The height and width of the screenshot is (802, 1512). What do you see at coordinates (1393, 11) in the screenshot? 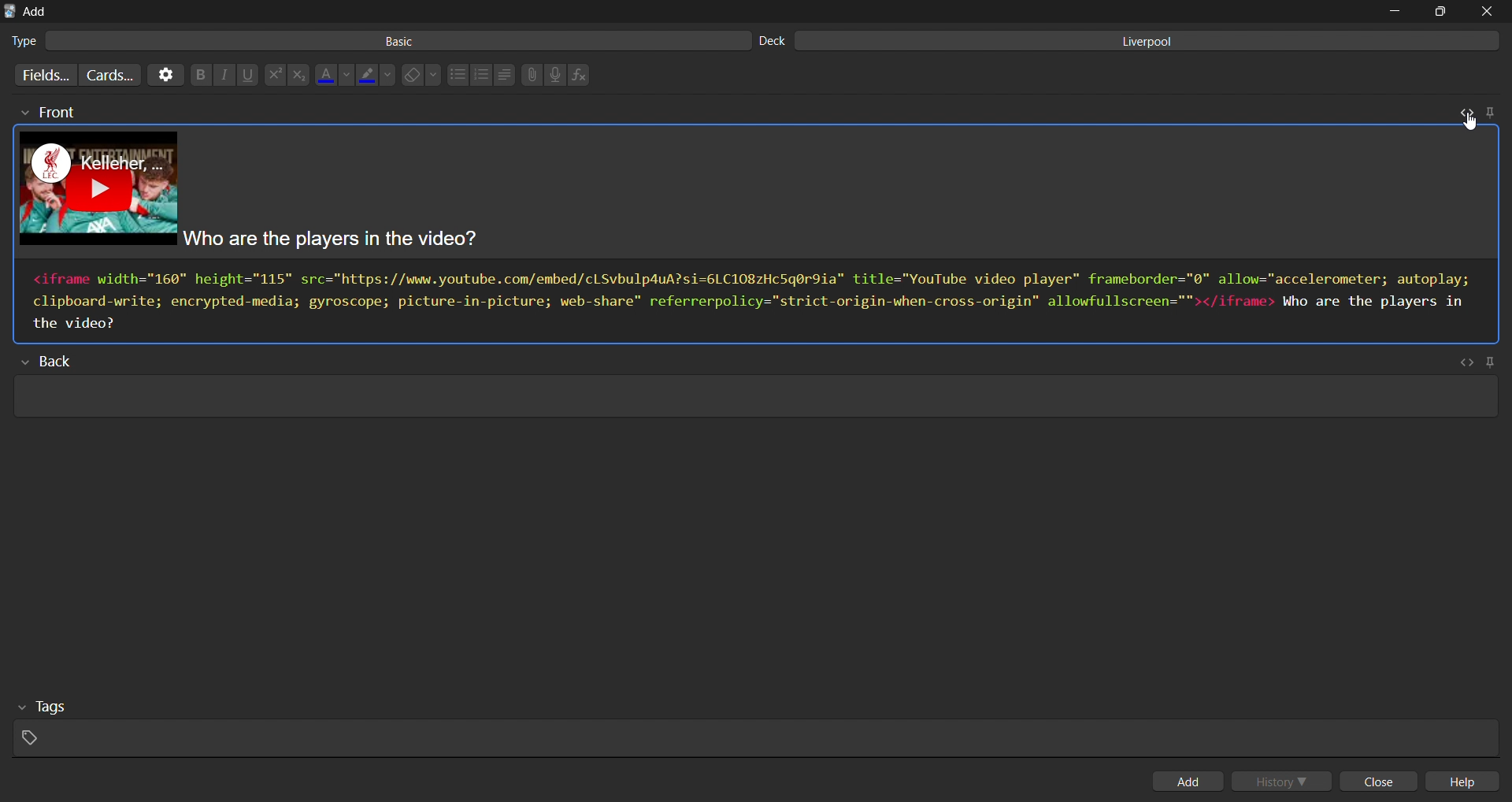
I see `minimize` at bounding box center [1393, 11].